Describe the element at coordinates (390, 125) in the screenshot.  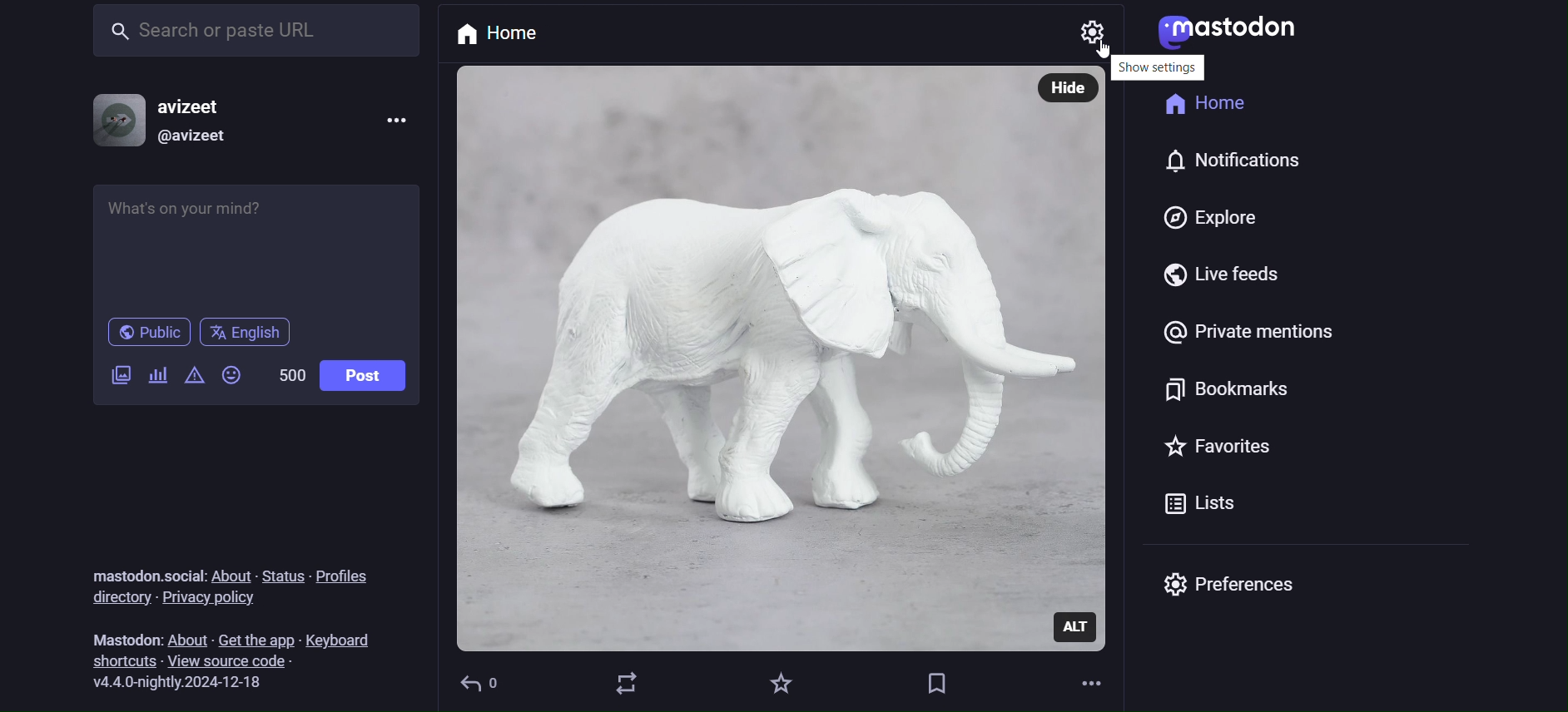
I see `Options` at that location.